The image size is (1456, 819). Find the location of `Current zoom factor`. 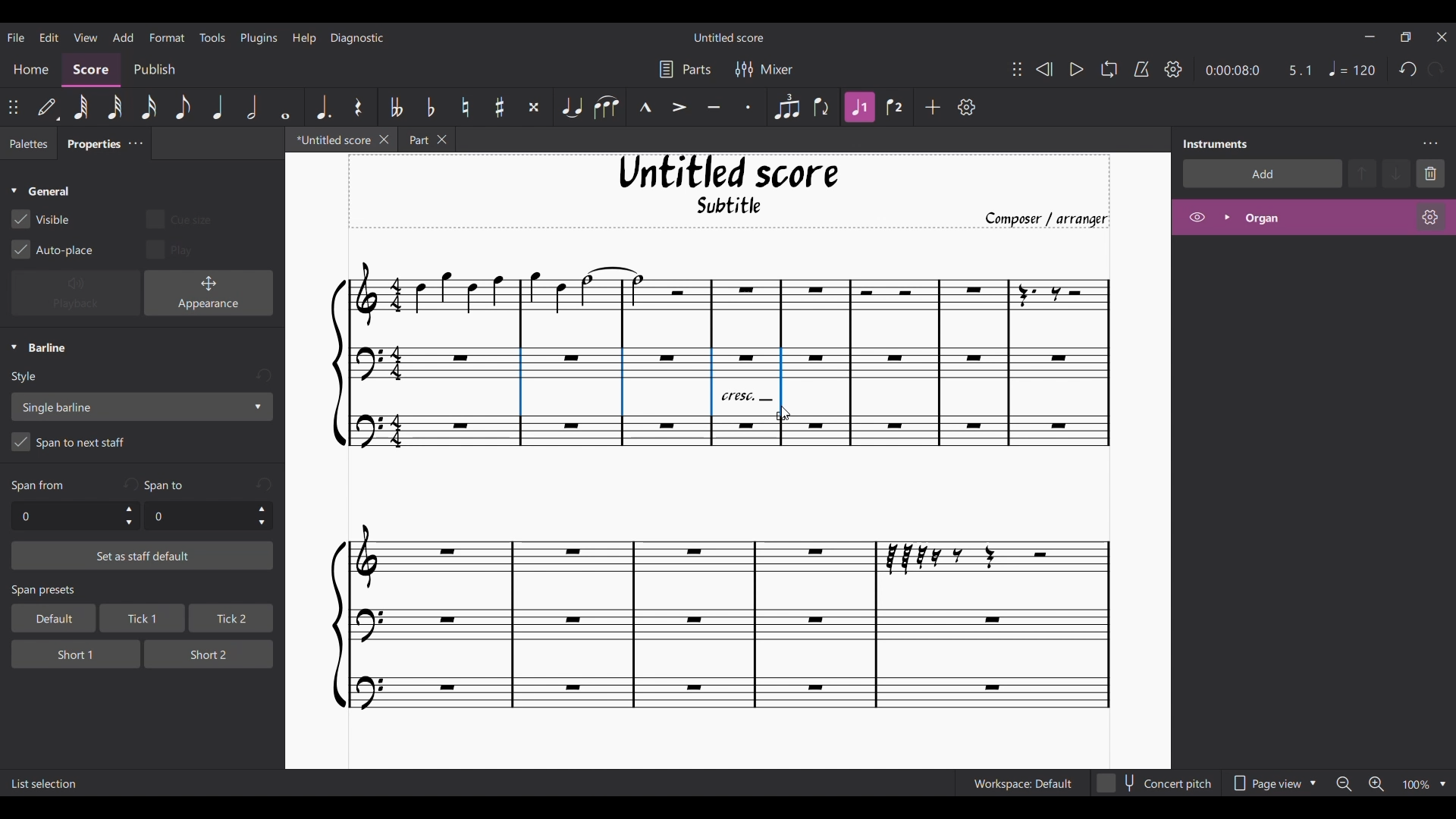

Current zoom factor is located at coordinates (1415, 786).